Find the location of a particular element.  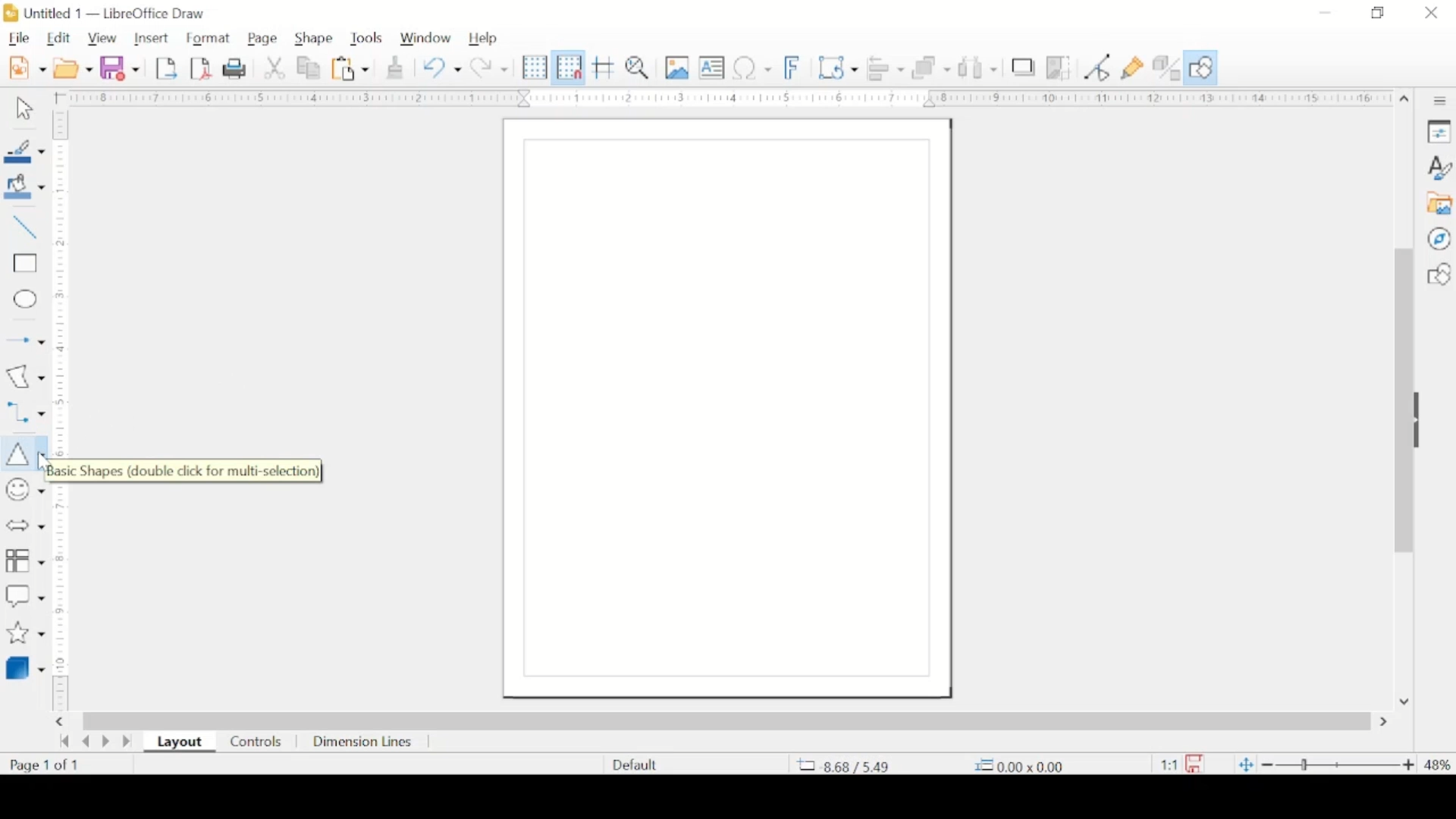

defaults is located at coordinates (633, 763).